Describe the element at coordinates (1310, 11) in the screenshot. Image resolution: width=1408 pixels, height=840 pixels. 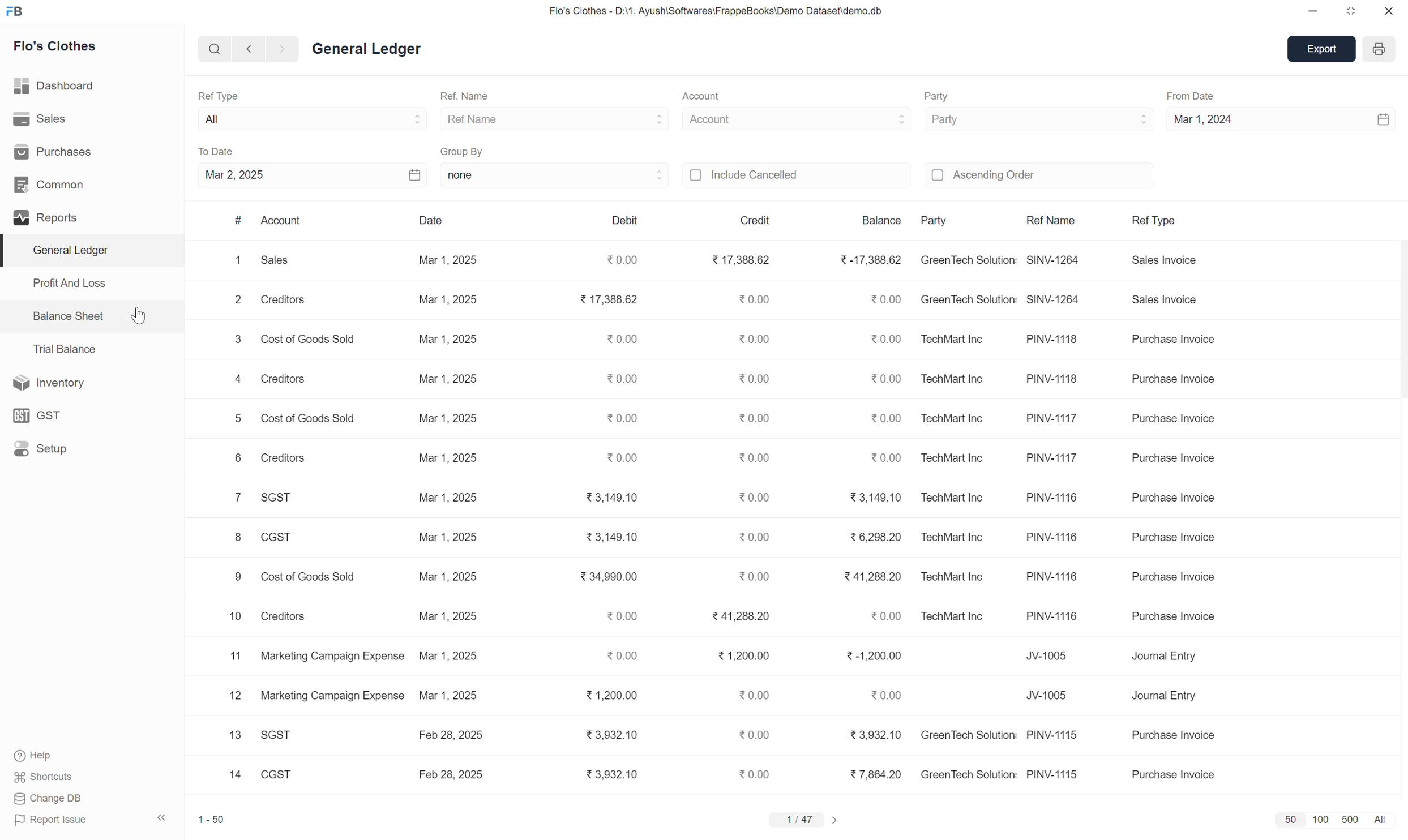
I see `minimize` at that location.